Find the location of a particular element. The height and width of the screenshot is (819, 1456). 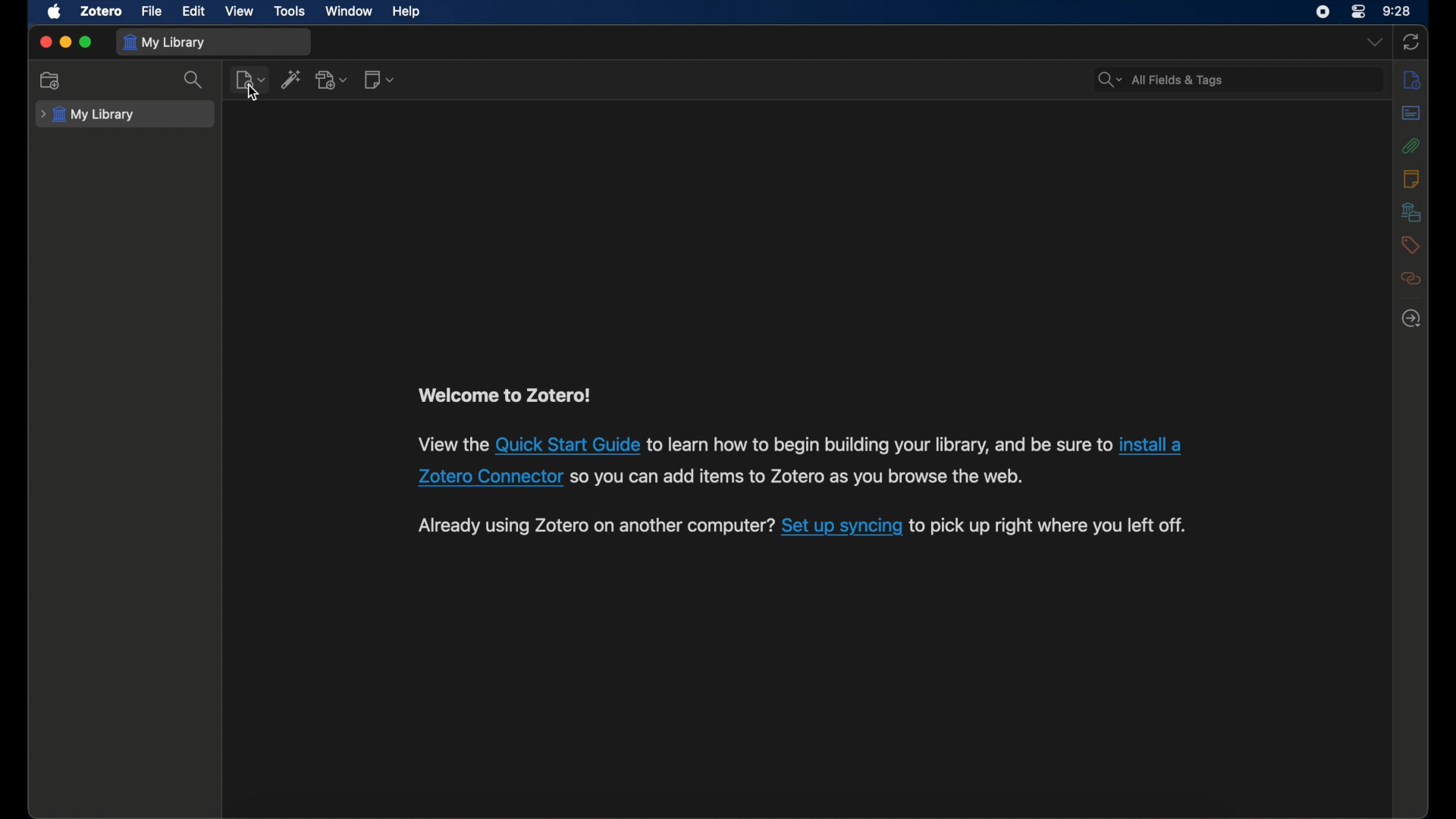

file is located at coordinates (152, 12).